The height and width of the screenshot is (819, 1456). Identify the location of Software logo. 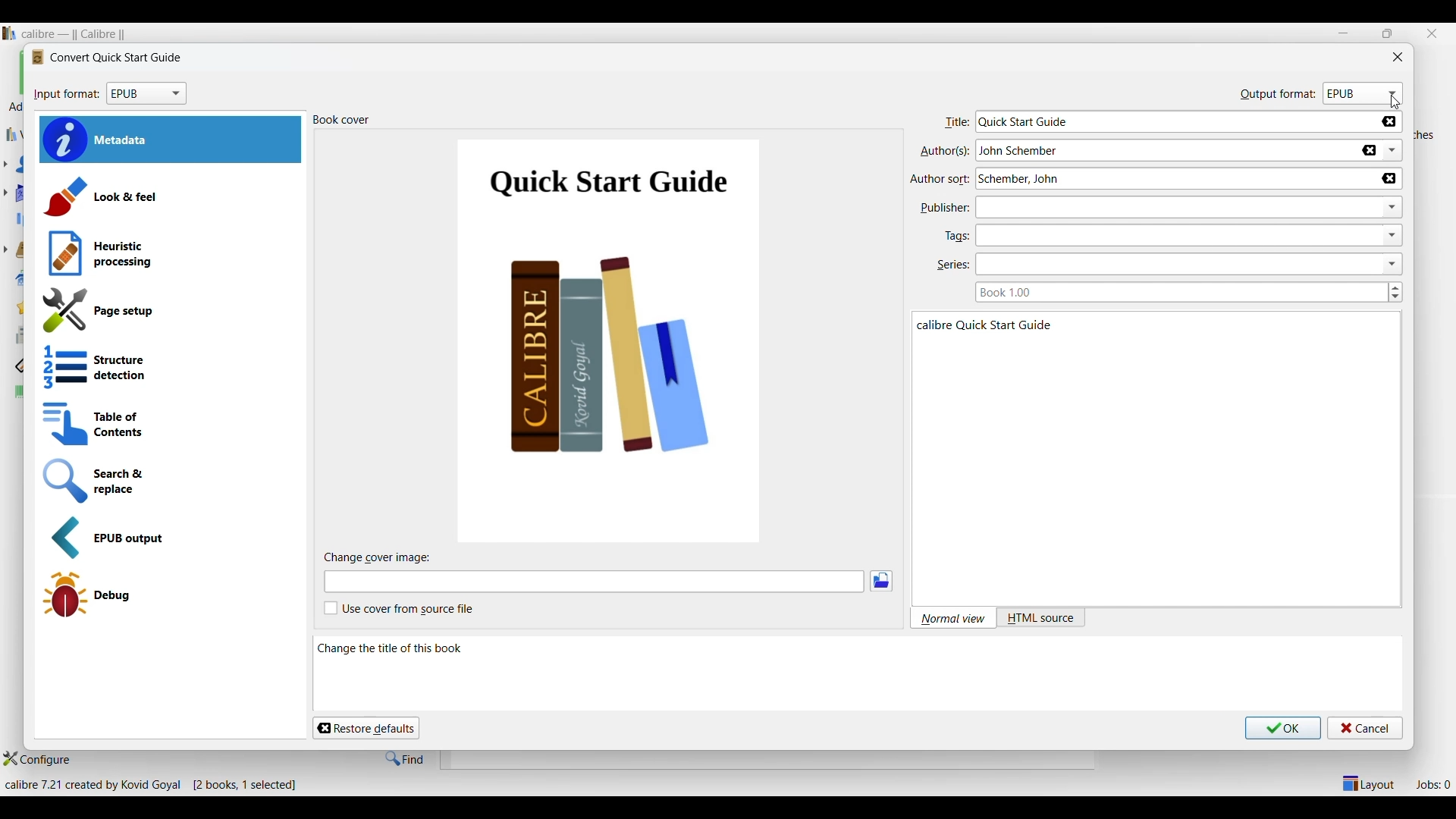
(9, 33).